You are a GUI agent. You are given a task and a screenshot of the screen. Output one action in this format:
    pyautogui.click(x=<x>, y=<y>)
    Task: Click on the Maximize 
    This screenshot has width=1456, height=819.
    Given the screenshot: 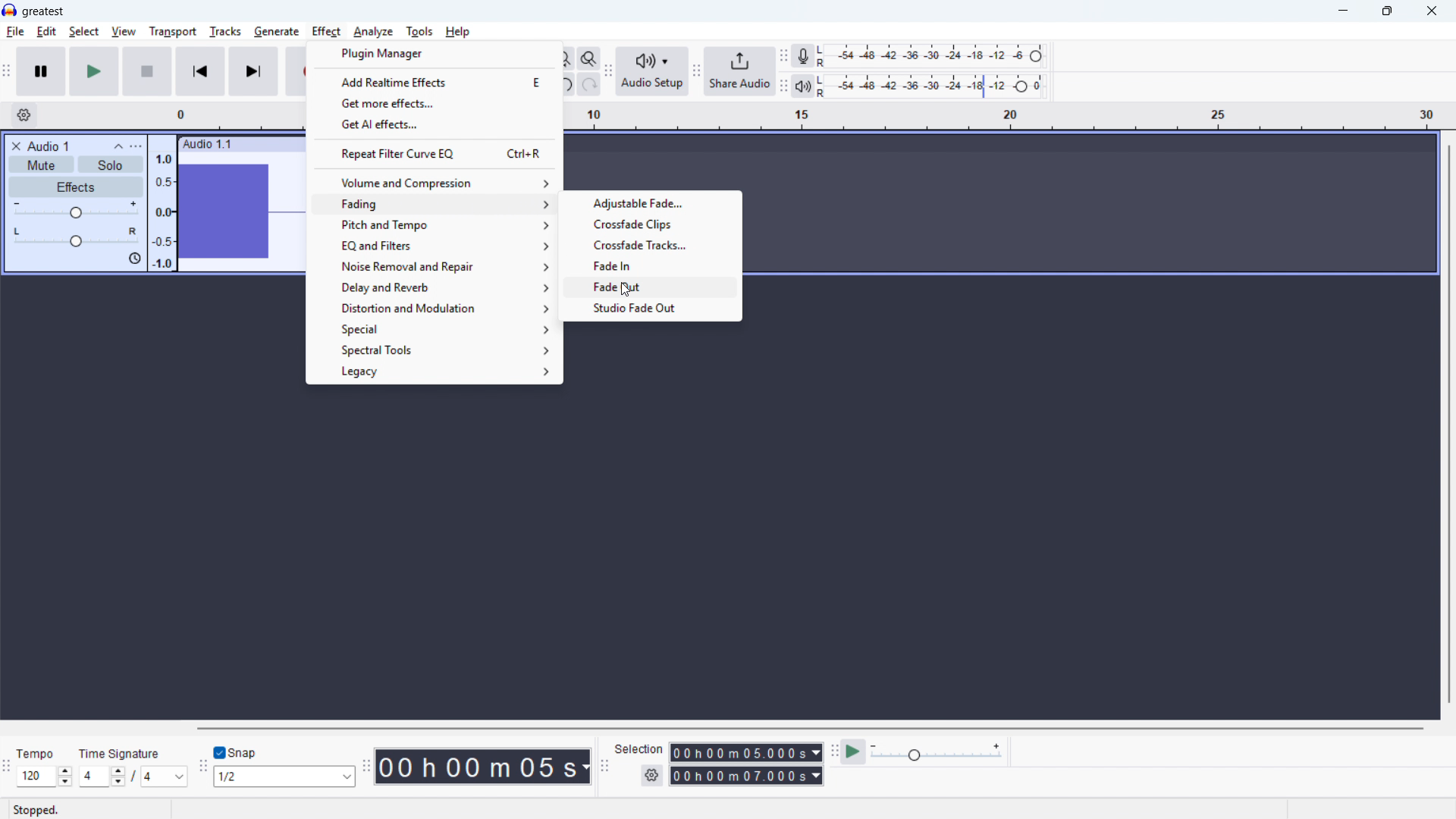 What is the action you would take?
    pyautogui.click(x=1387, y=11)
    